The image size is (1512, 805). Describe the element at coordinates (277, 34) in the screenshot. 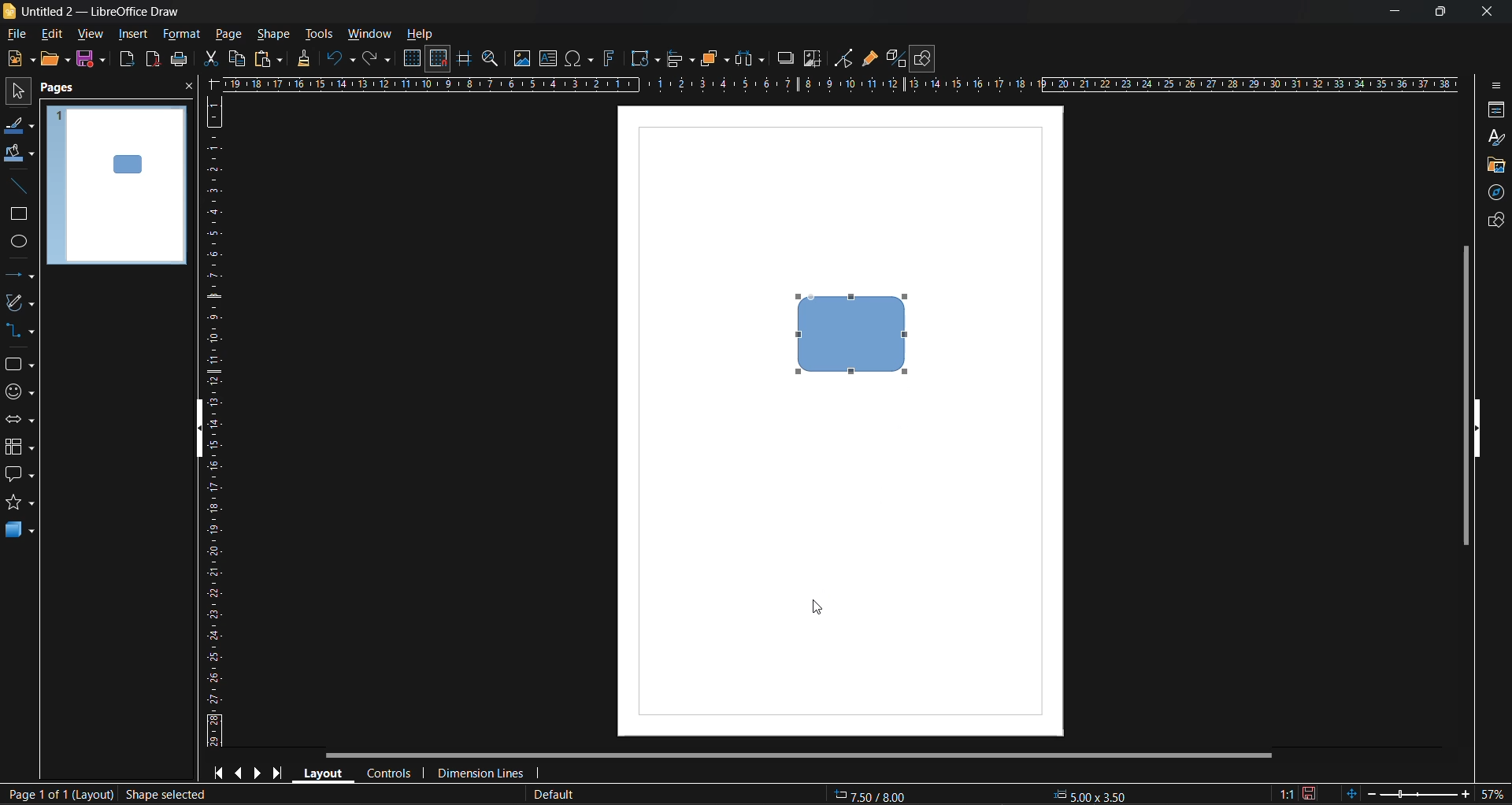

I see `shape` at that location.